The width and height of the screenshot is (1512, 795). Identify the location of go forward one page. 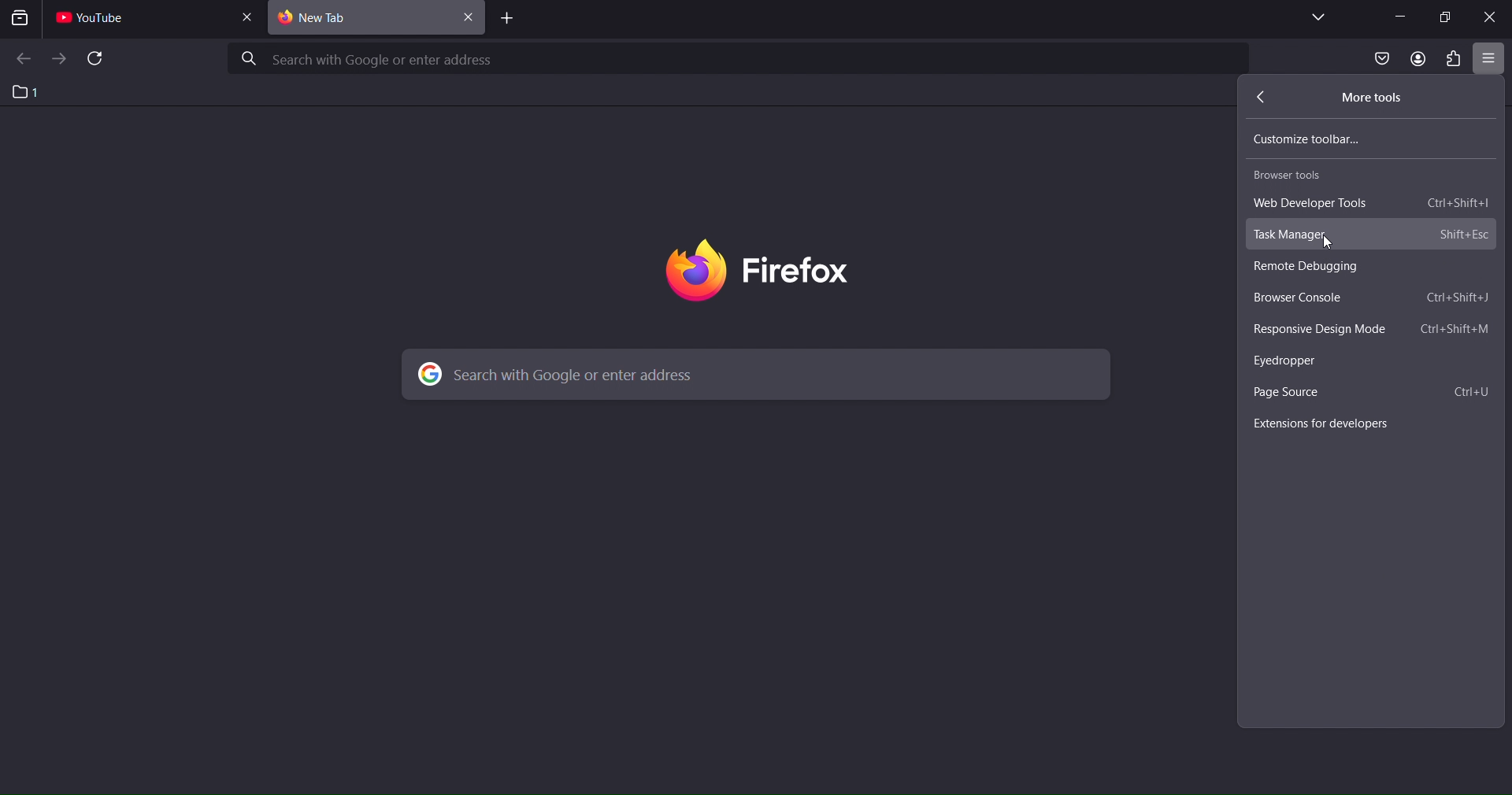
(59, 58).